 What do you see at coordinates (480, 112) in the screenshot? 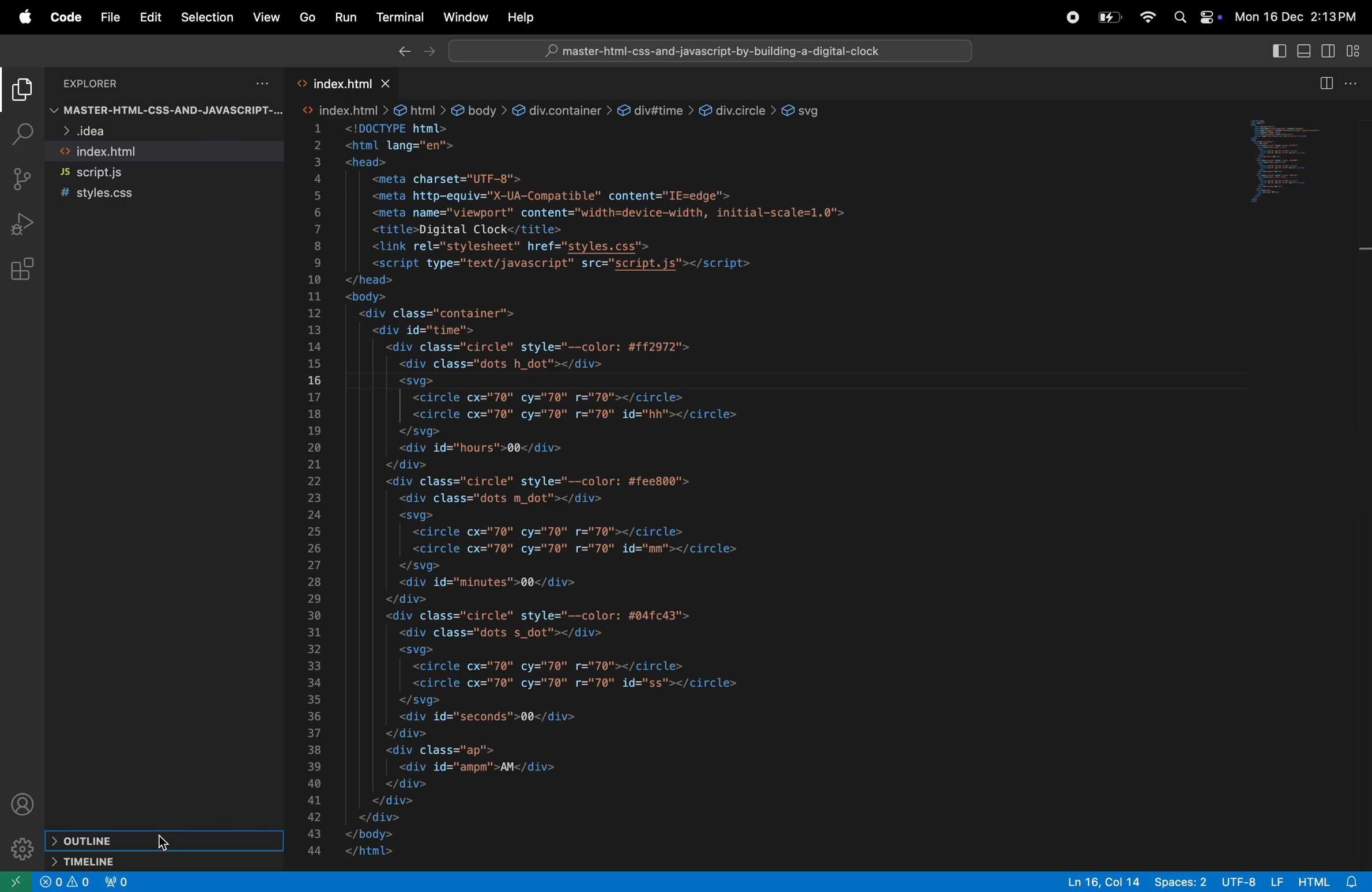
I see `body` at bounding box center [480, 112].